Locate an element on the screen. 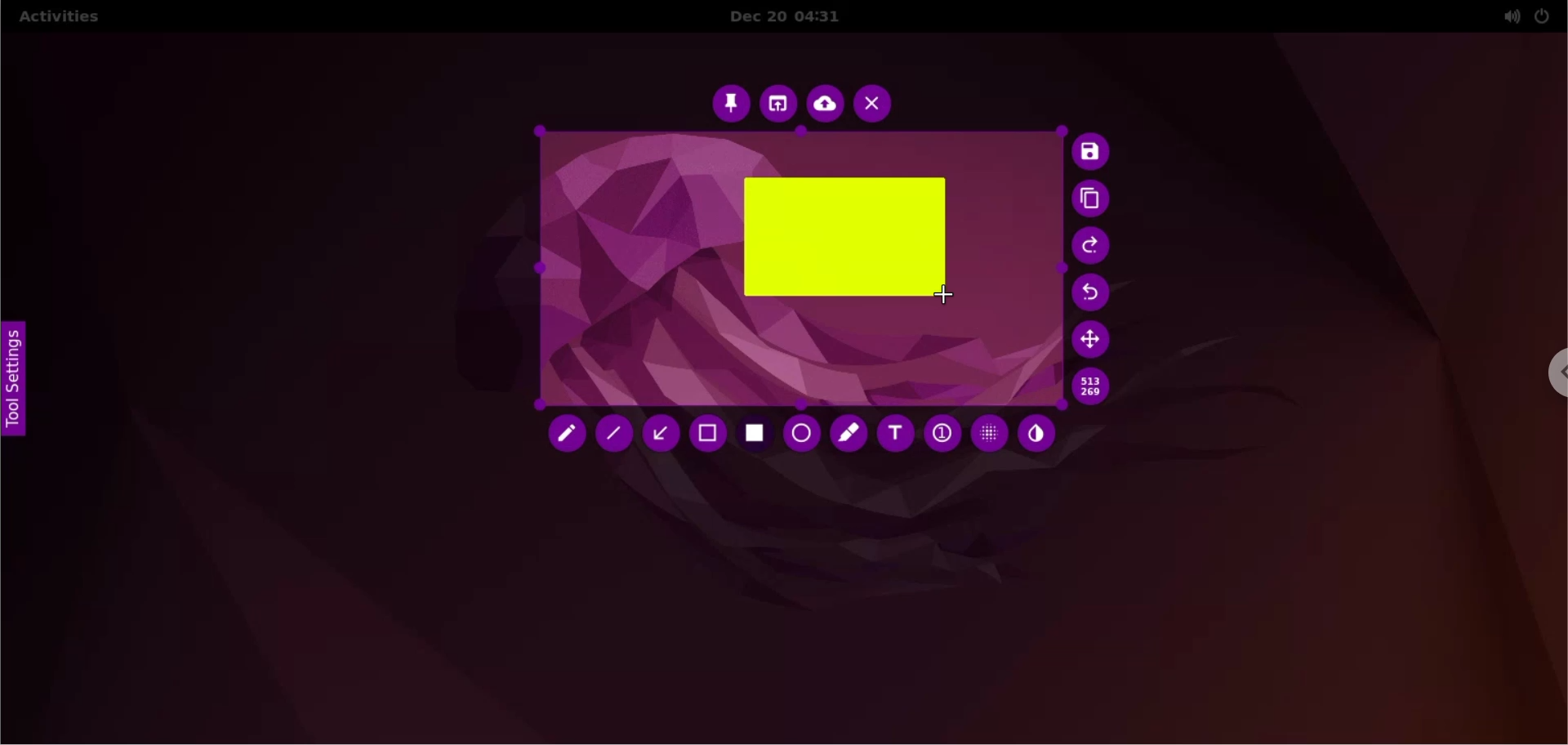 The height and width of the screenshot is (745, 1568). sound setting options is located at coordinates (1506, 16).